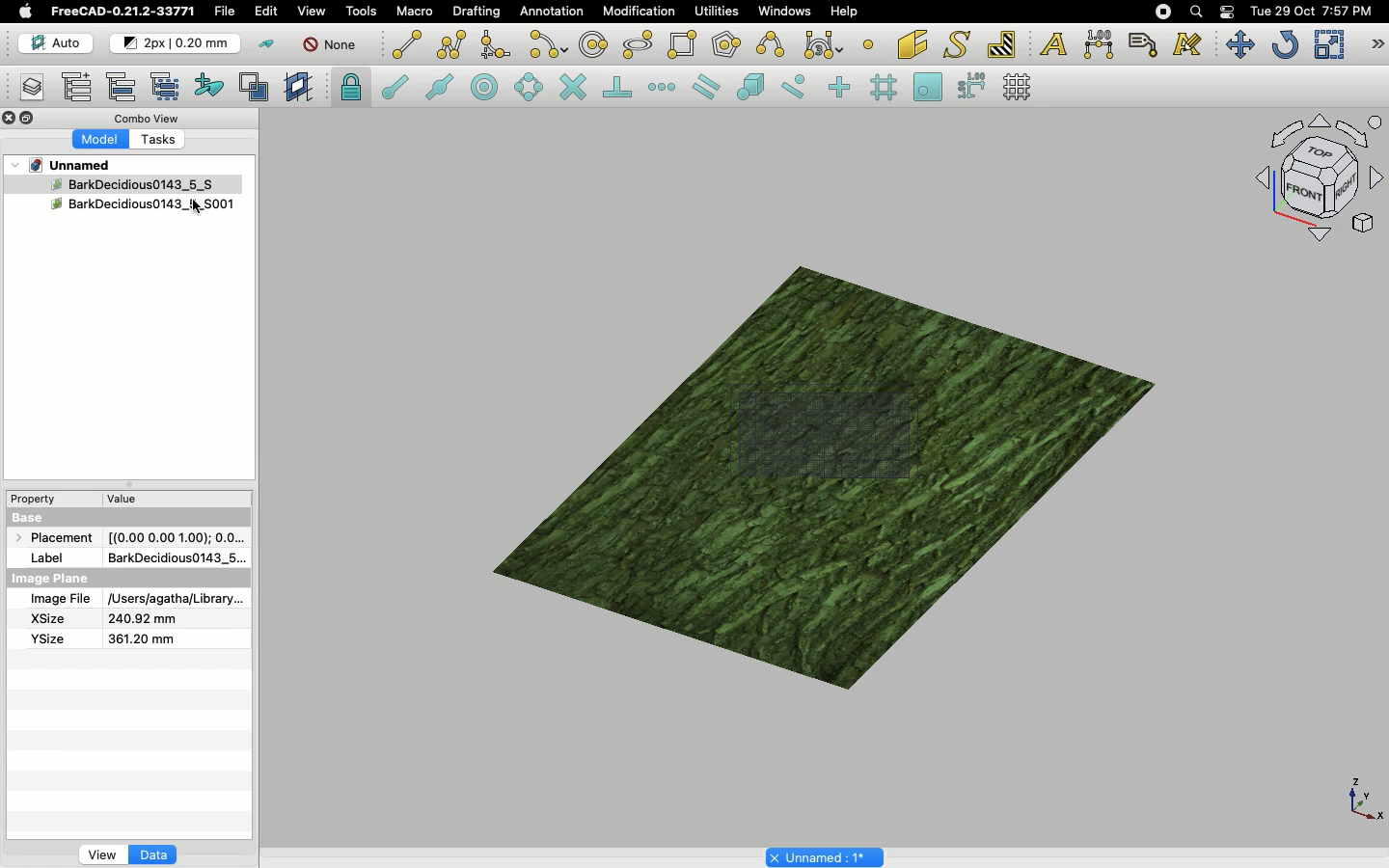 The width and height of the screenshot is (1389, 868). What do you see at coordinates (827, 855) in the screenshot?
I see `Project name` at bounding box center [827, 855].